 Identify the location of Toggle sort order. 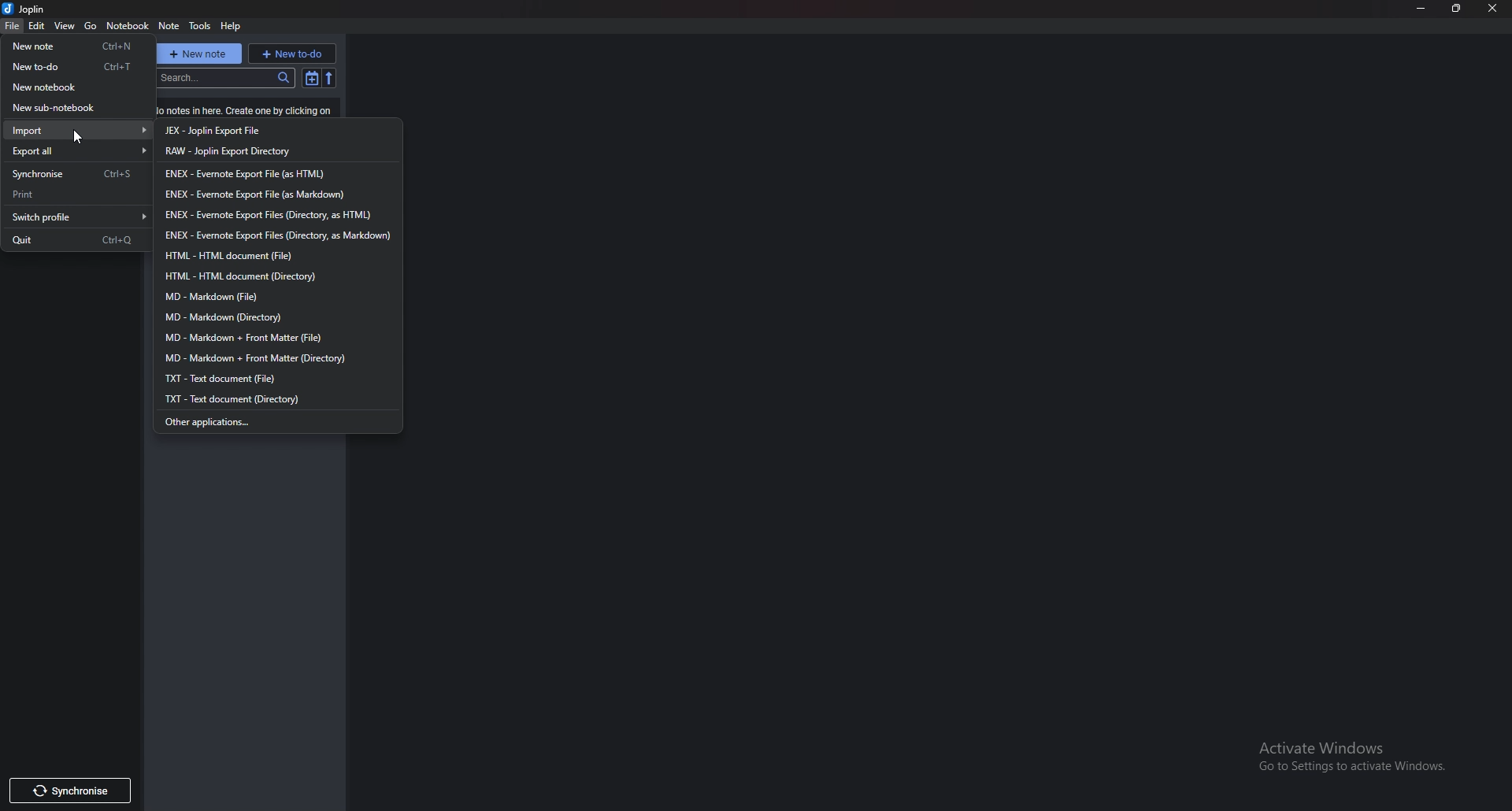
(313, 78).